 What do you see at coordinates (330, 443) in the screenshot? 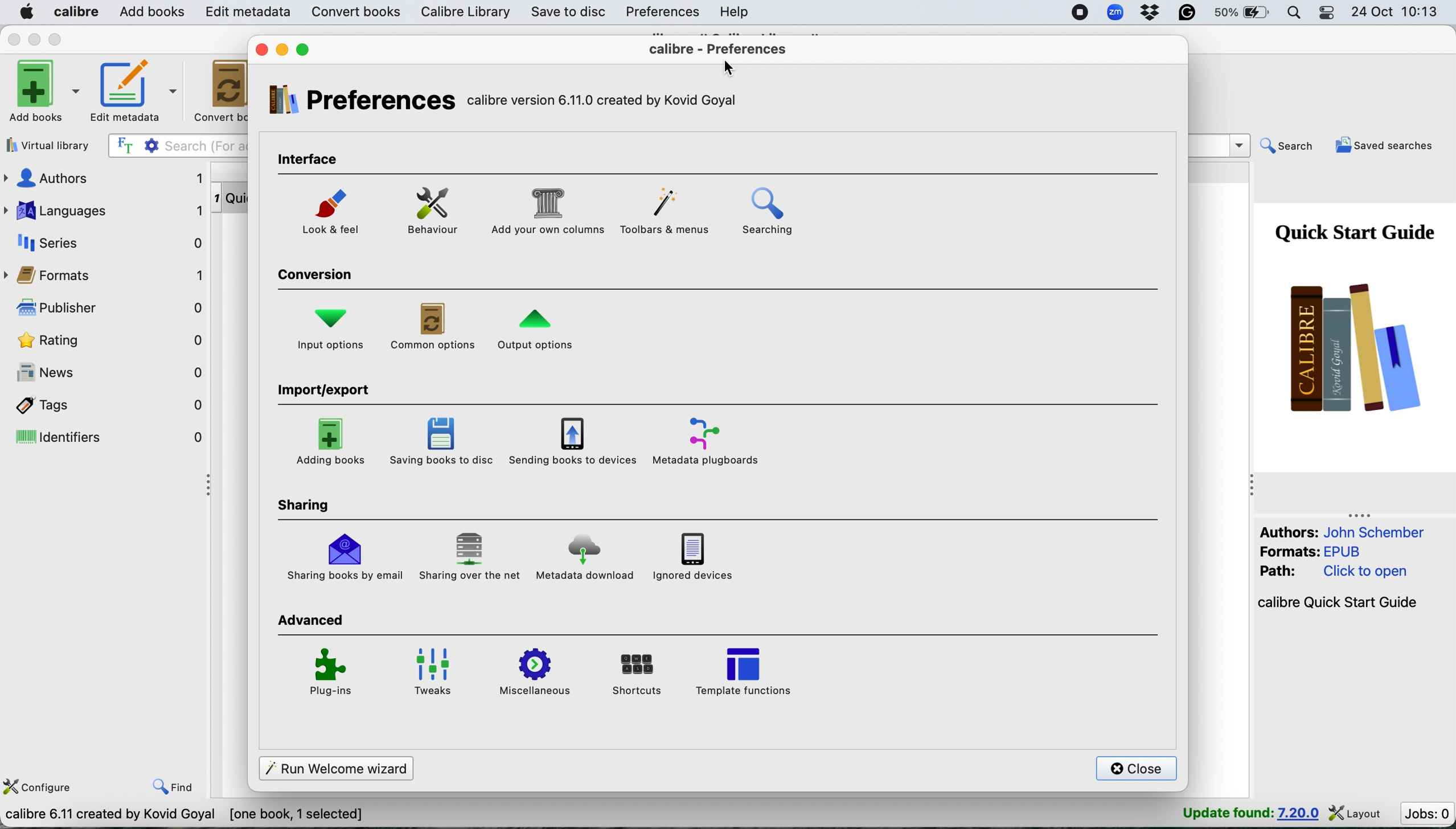
I see `adding books` at bounding box center [330, 443].